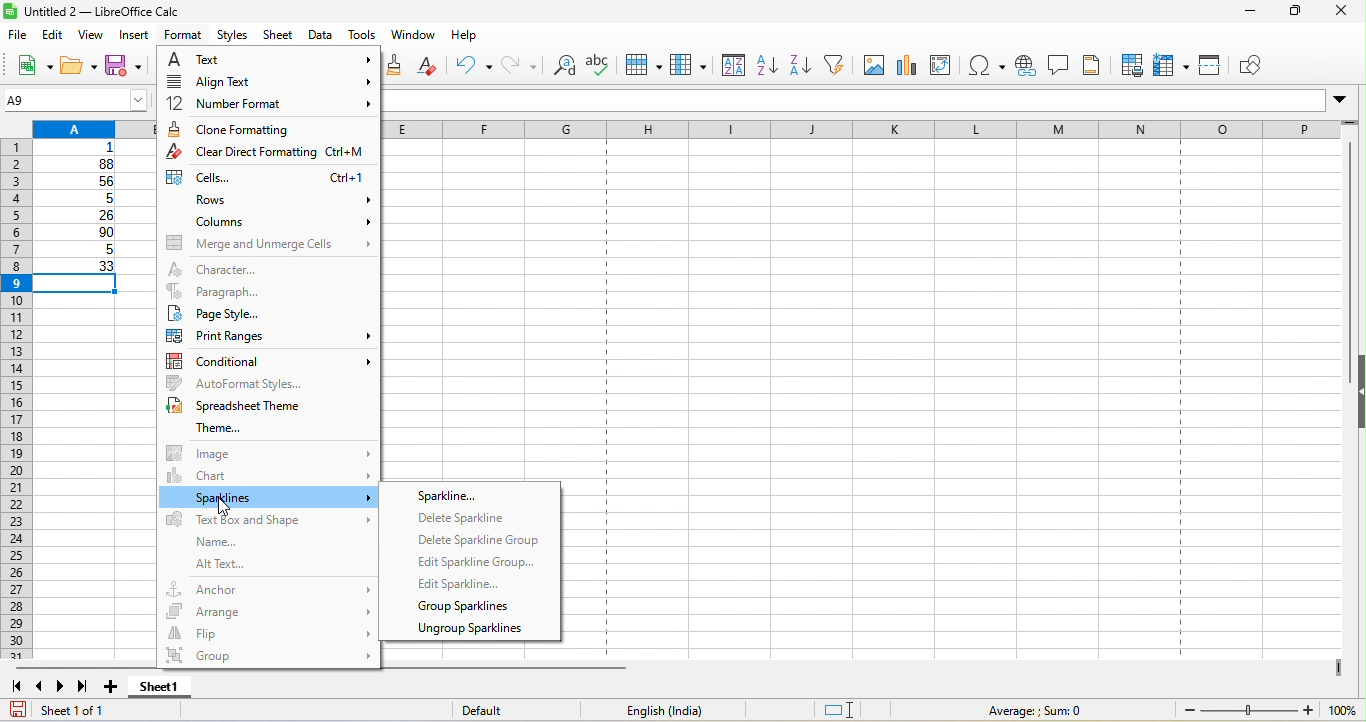 The height and width of the screenshot is (722, 1366). I want to click on auto format styles, so click(271, 382).